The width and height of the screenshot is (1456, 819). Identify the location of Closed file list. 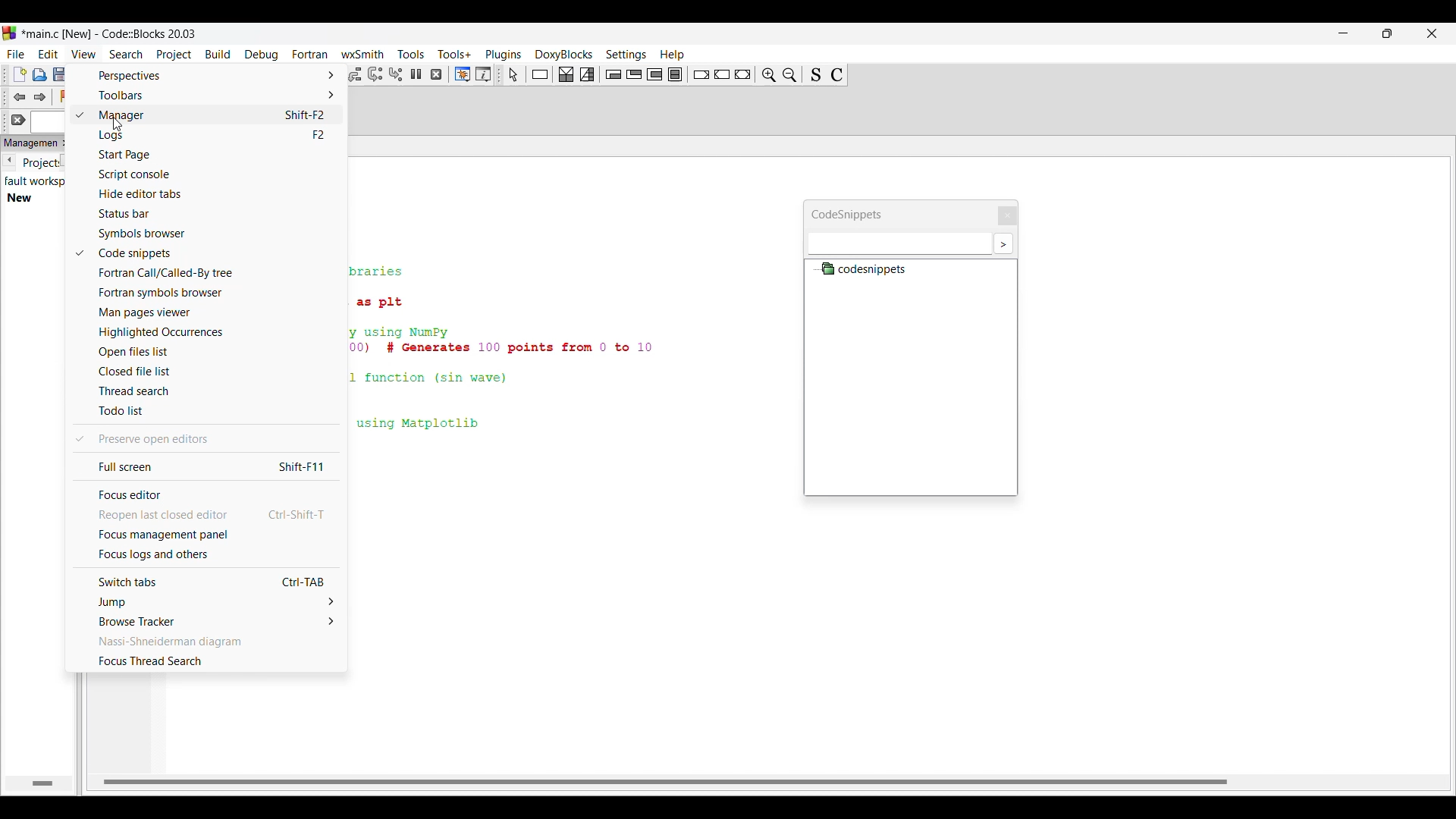
(215, 372).